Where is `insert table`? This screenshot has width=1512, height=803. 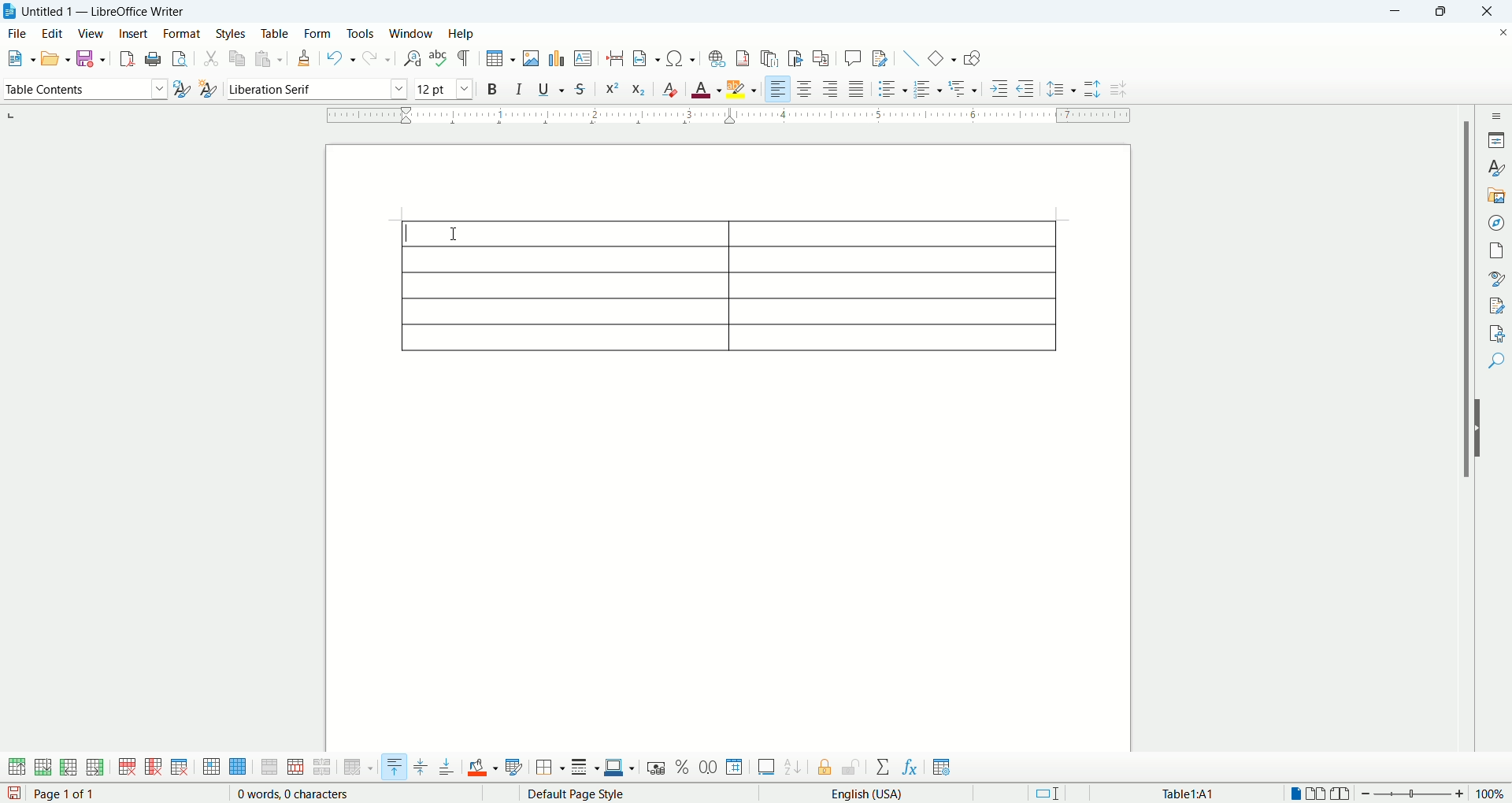
insert table is located at coordinates (501, 58).